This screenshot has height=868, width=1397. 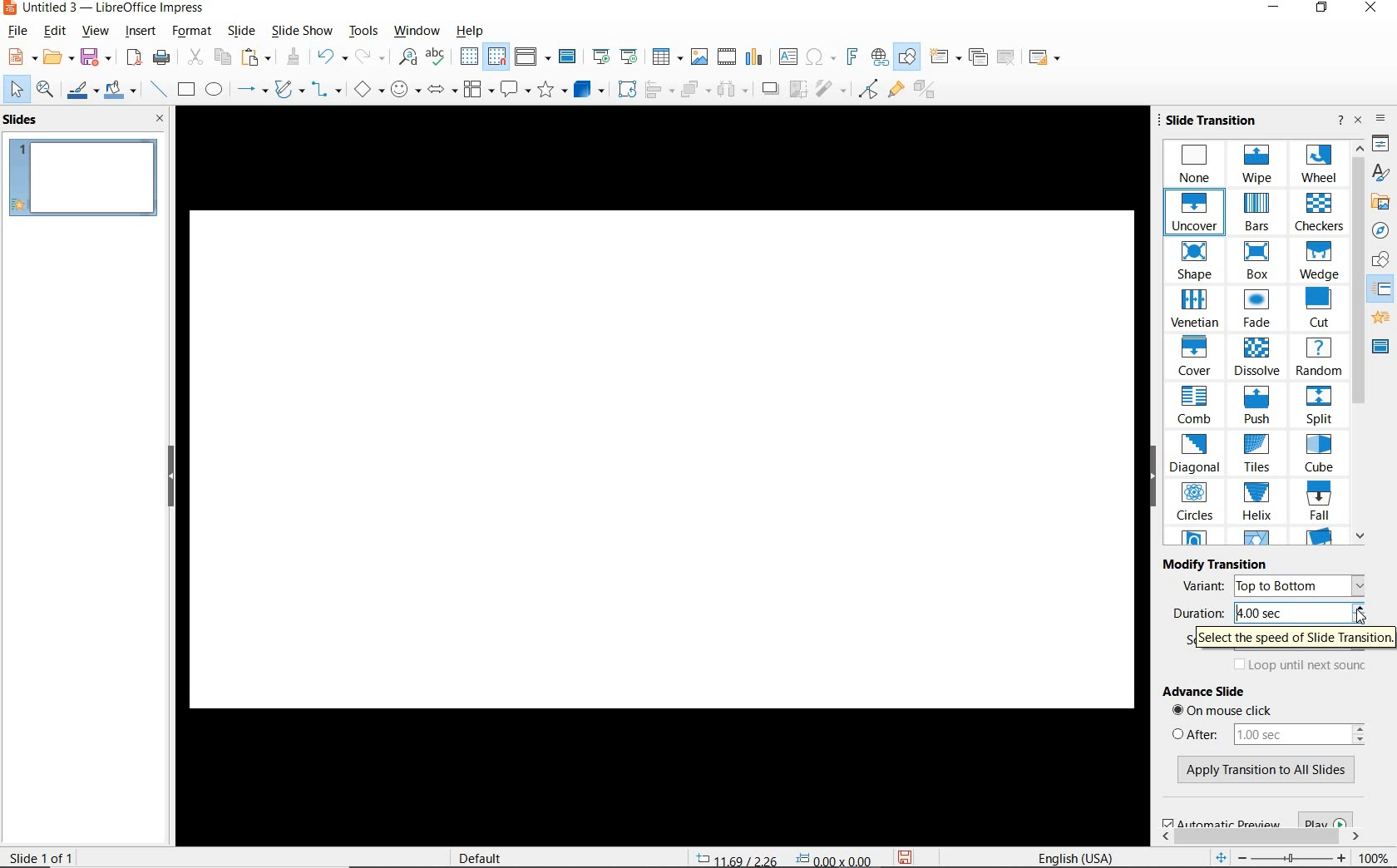 I want to click on TEXT LANGUAGE, so click(x=1074, y=856).